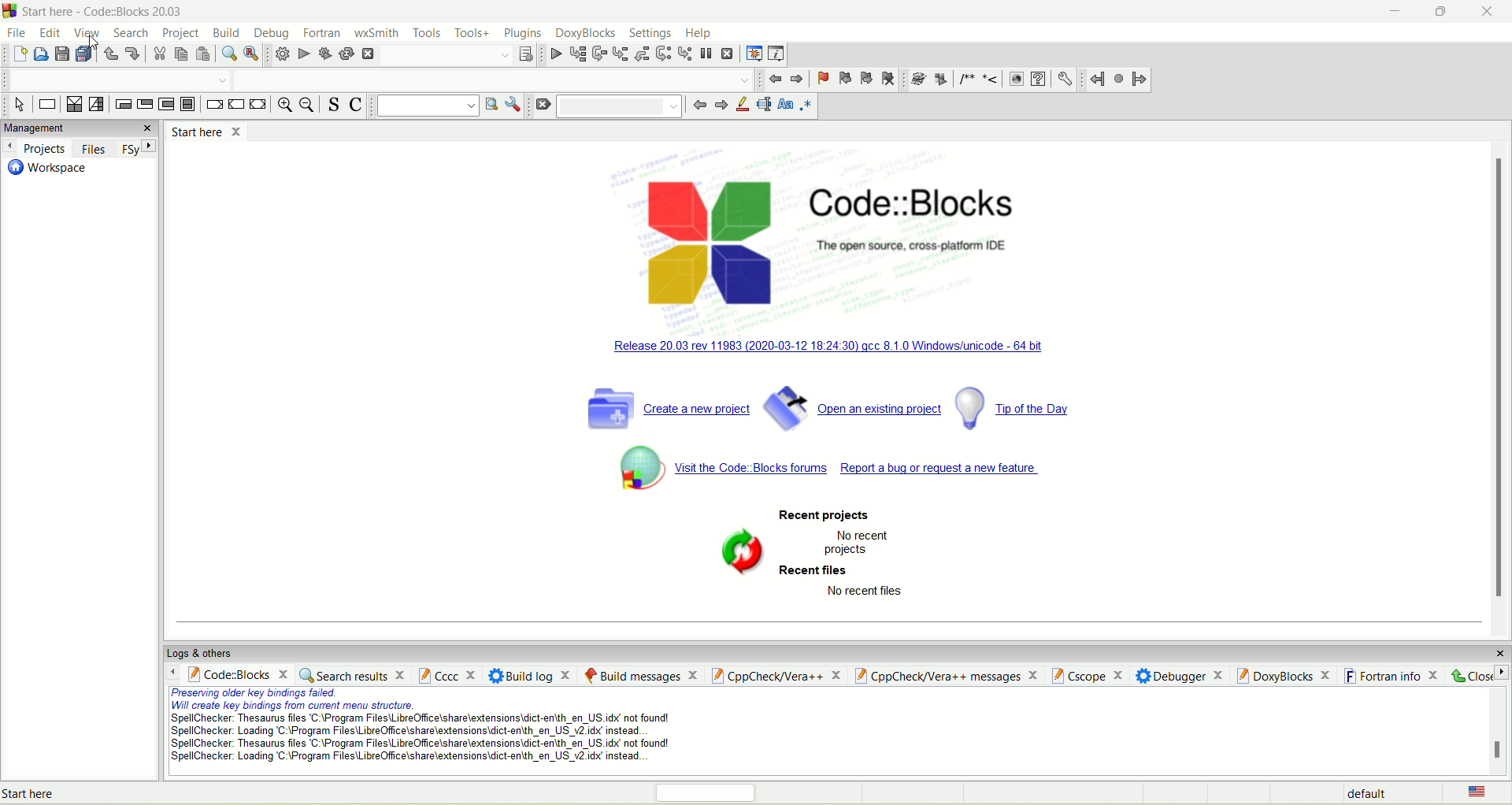 Image resolution: width=1512 pixels, height=805 pixels. I want to click on step into, so click(620, 54).